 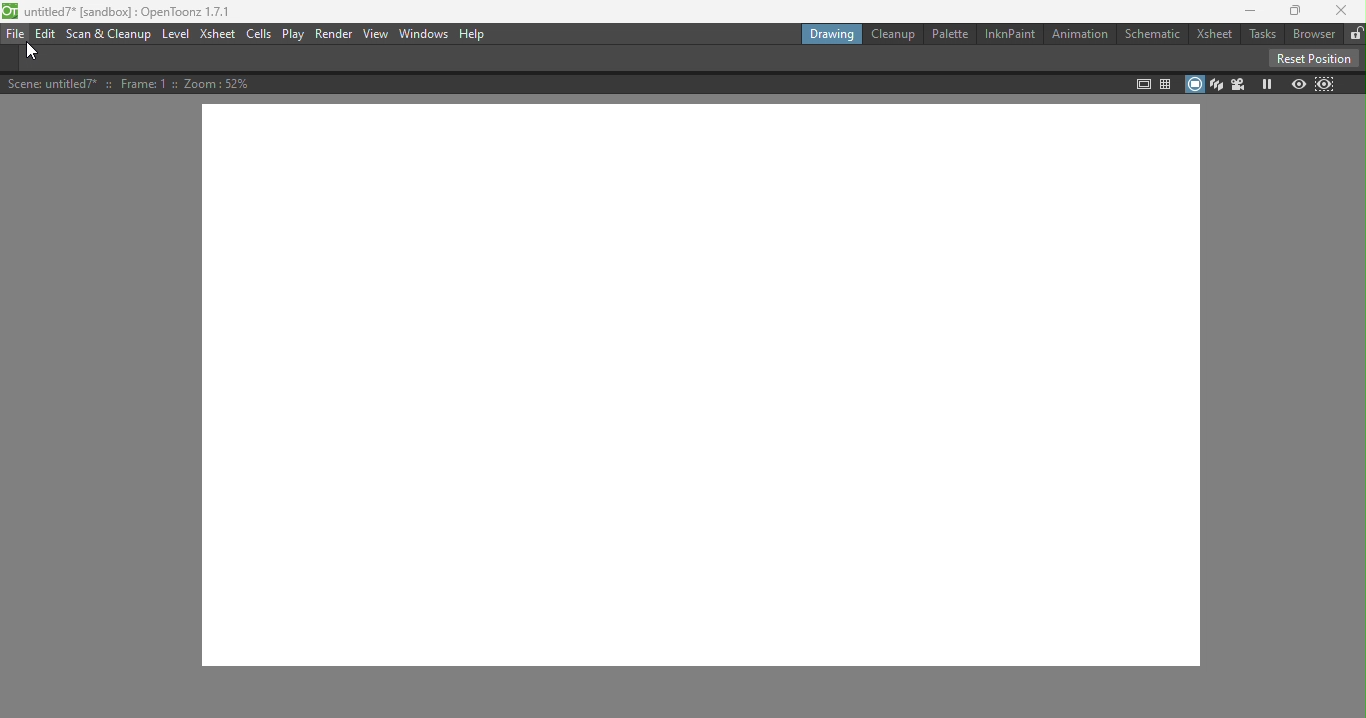 What do you see at coordinates (295, 34) in the screenshot?
I see `Play` at bounding box center [295, 34].